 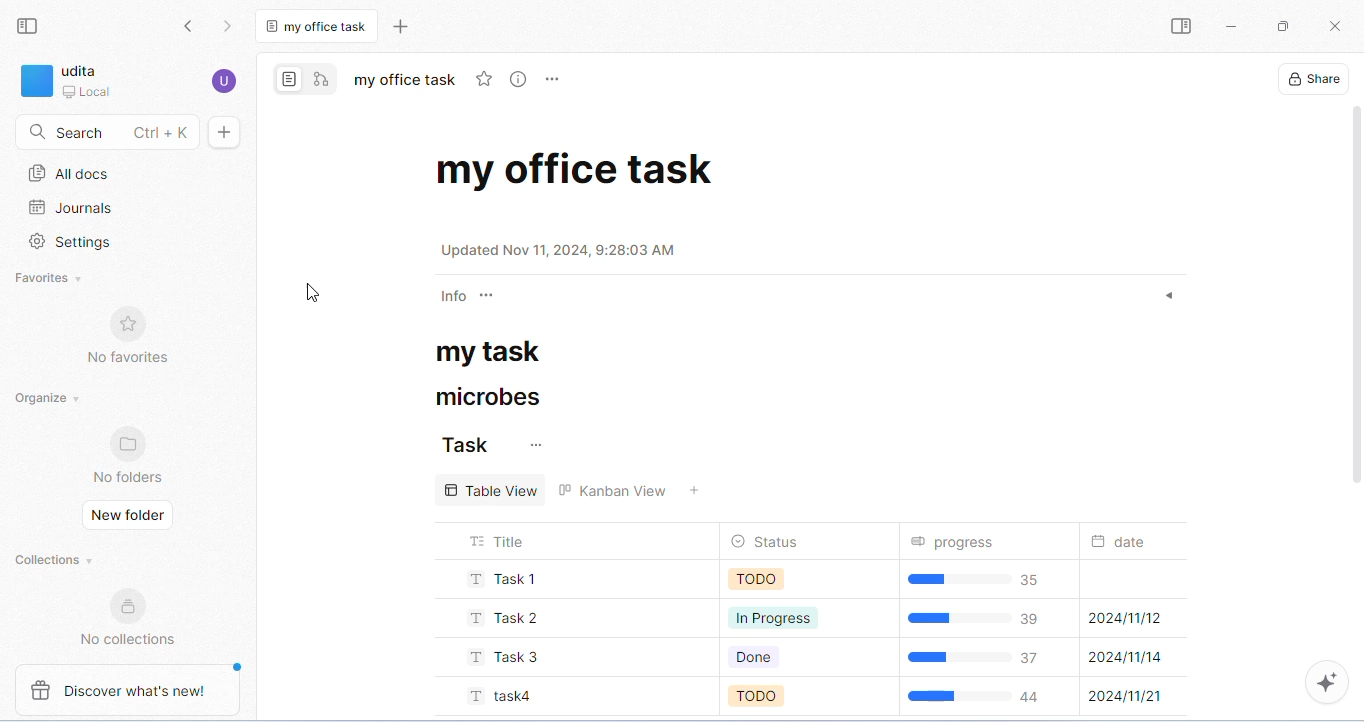 What do you see at coordinates (1327, 683) in the screenshot?
I see `AI assistant` at bounding box center [1327, 683].